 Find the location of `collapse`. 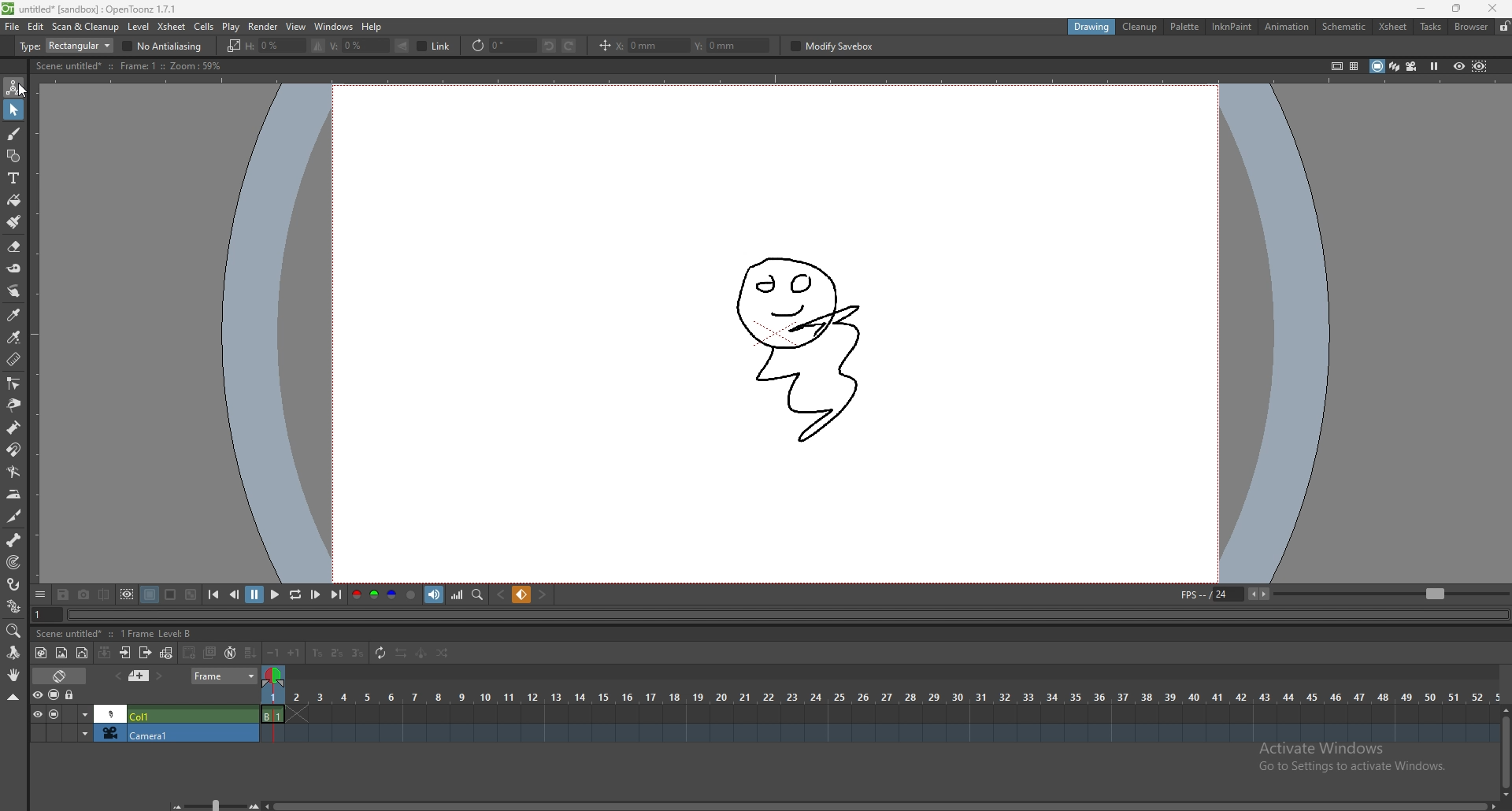

collapse is located at coordinates (13, 697).